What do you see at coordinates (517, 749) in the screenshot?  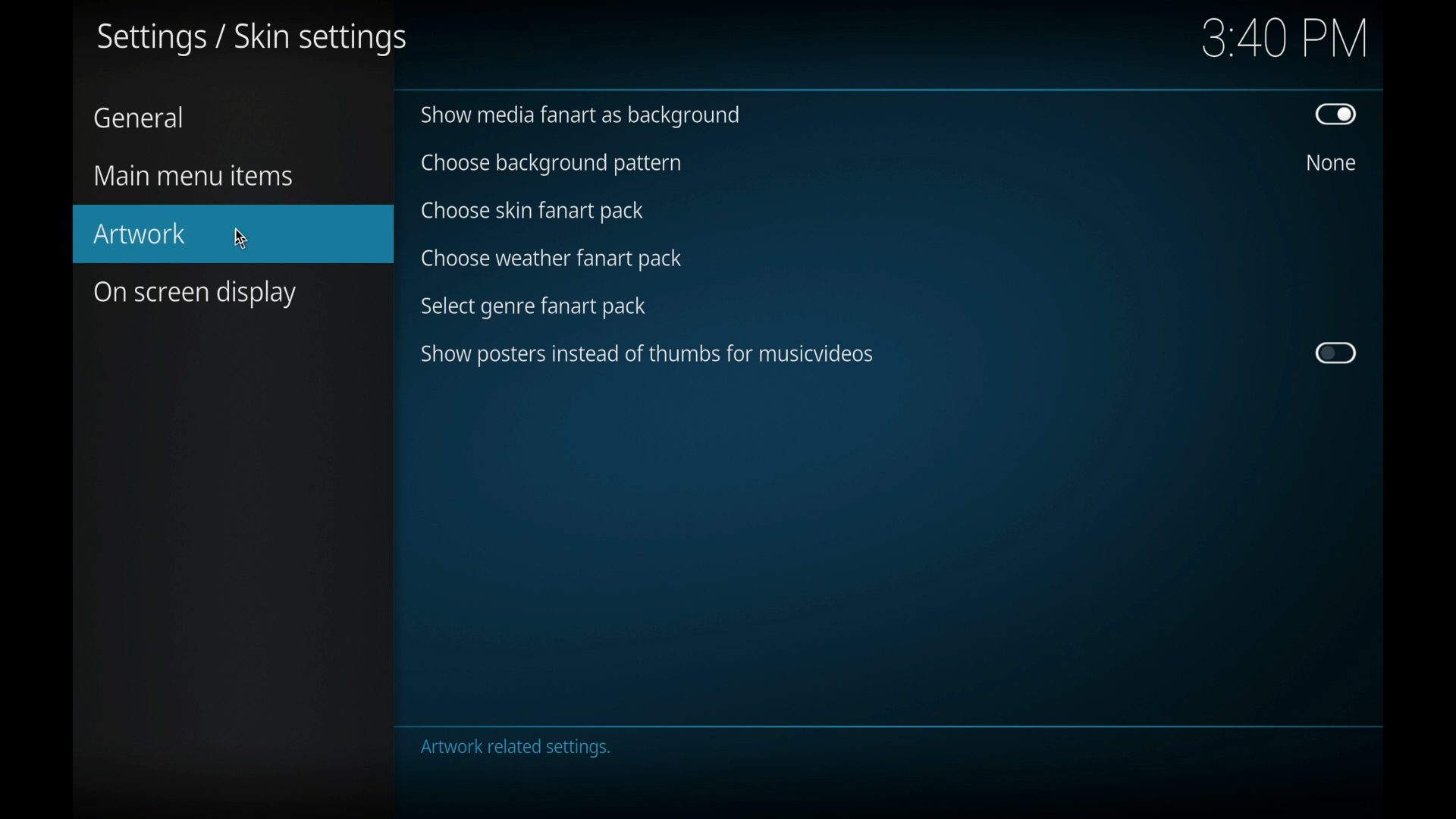 I see `artwork  related settings` at bounding box center [517, 749].